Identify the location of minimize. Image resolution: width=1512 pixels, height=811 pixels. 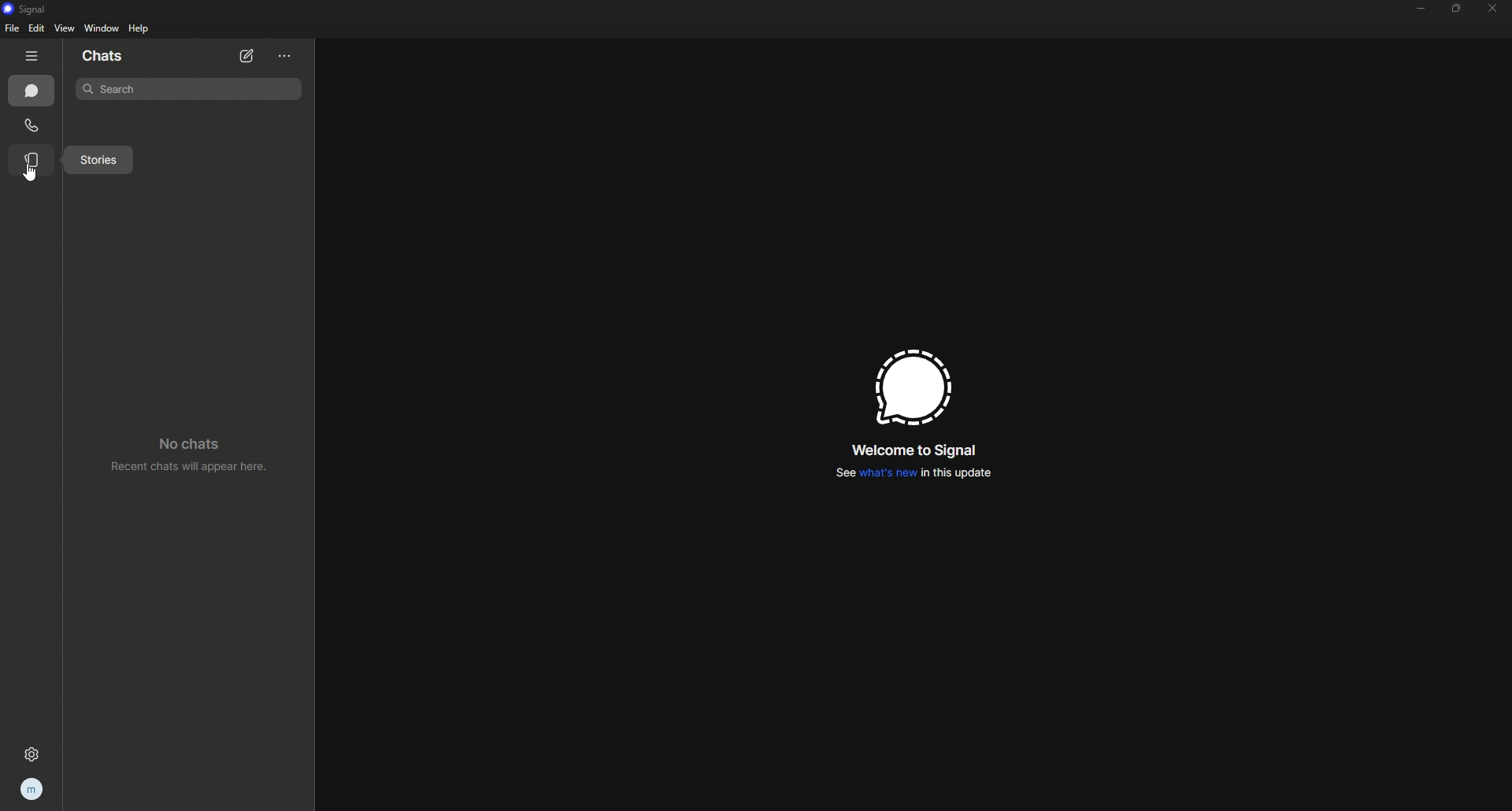
(1420, 8).